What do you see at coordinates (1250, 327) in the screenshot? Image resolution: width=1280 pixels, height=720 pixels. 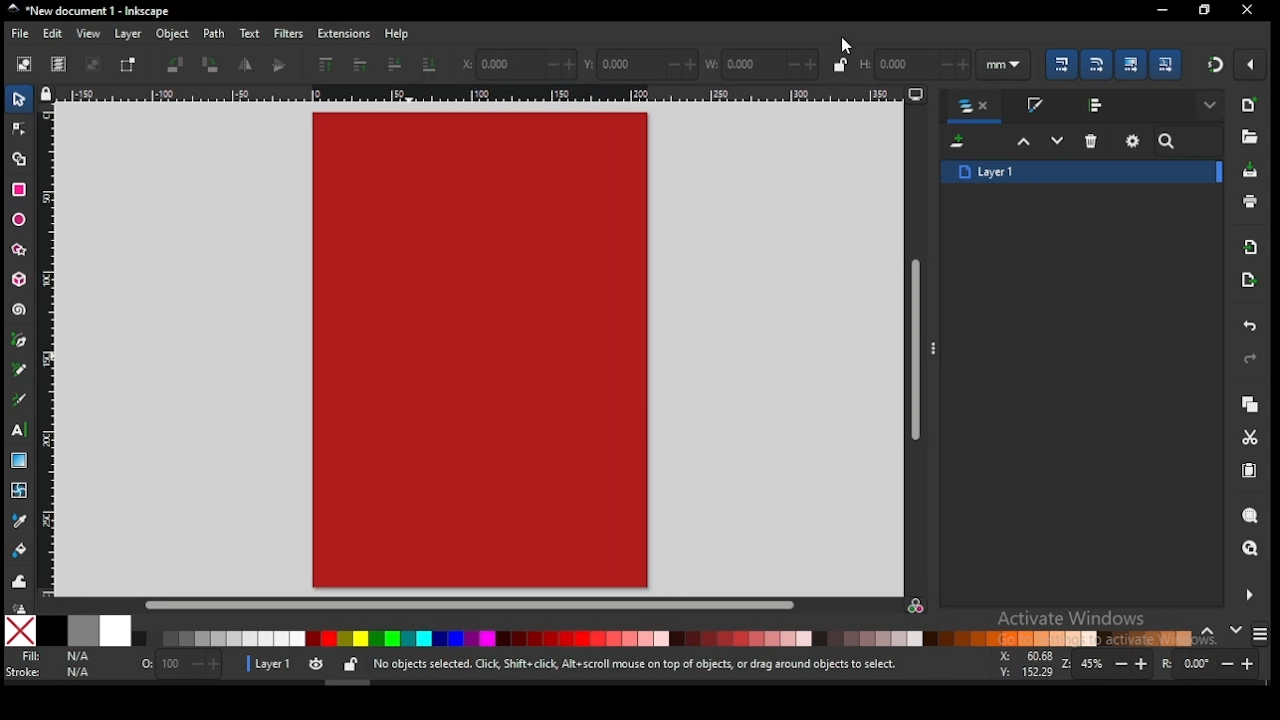 I see `undo` at bounding box center [1250, 327].